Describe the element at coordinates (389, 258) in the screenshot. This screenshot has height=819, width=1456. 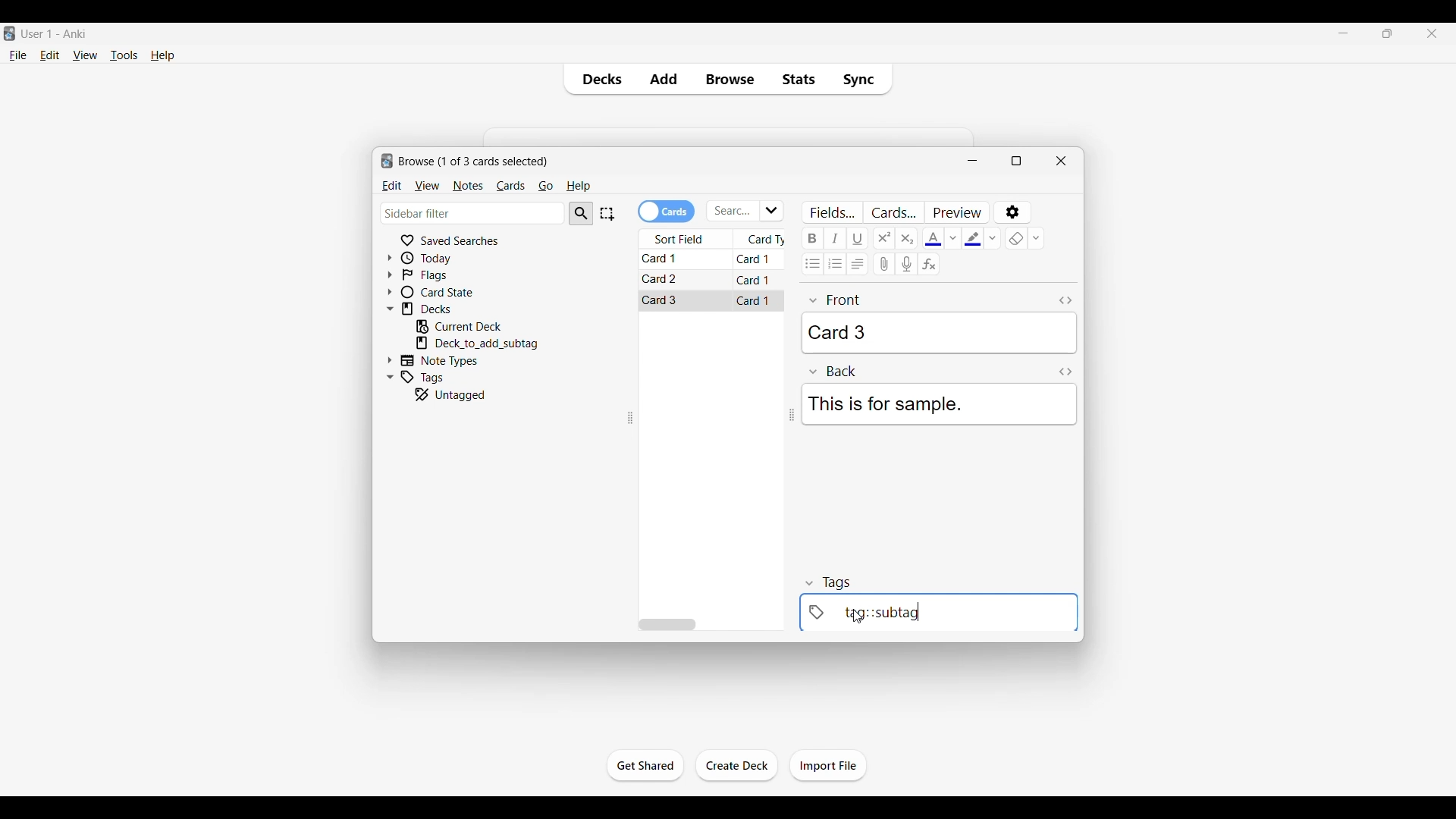
I see `Click to expand Today` at that location.